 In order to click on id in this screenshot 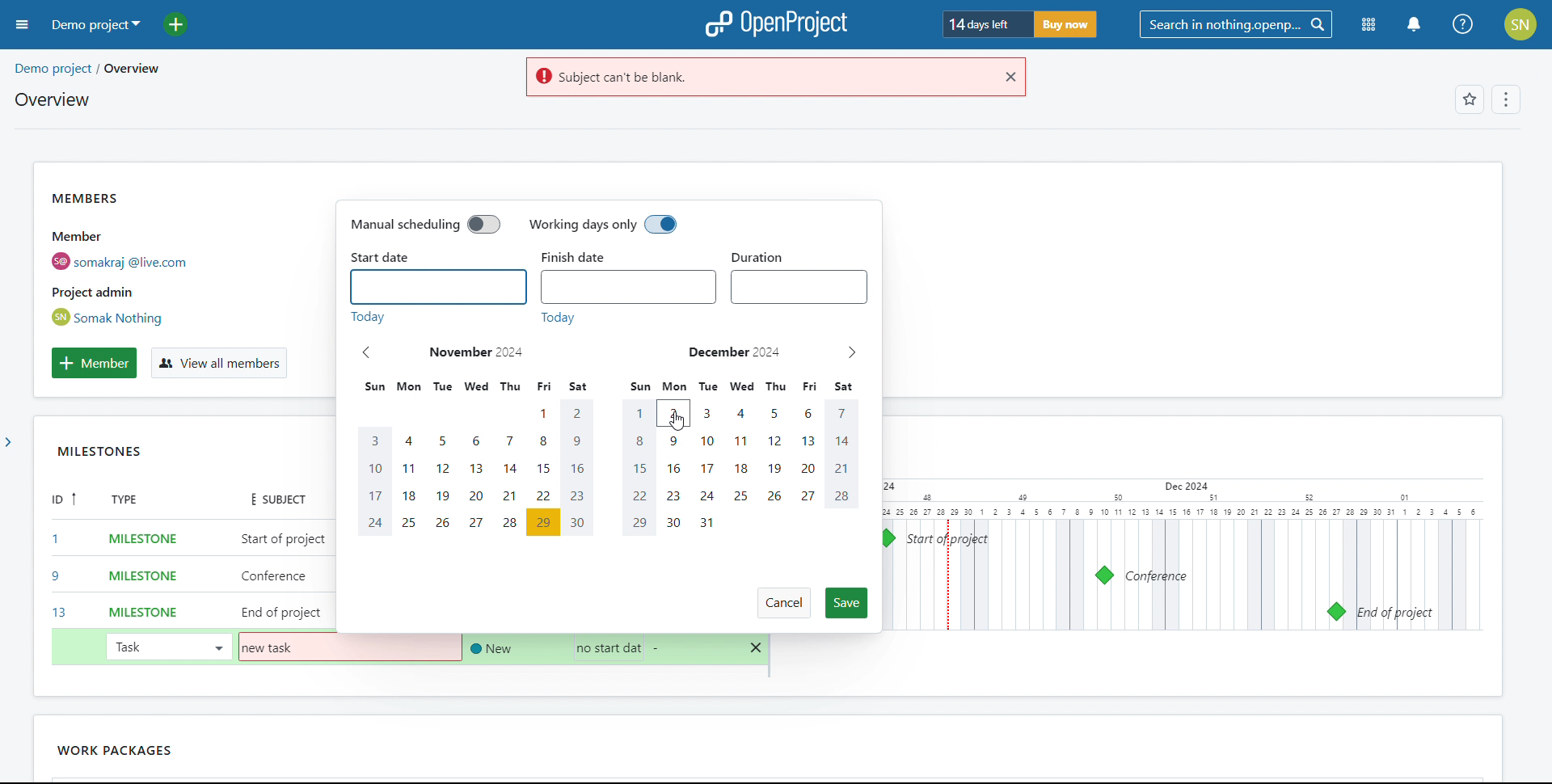, I will do `click(58, 558)`.